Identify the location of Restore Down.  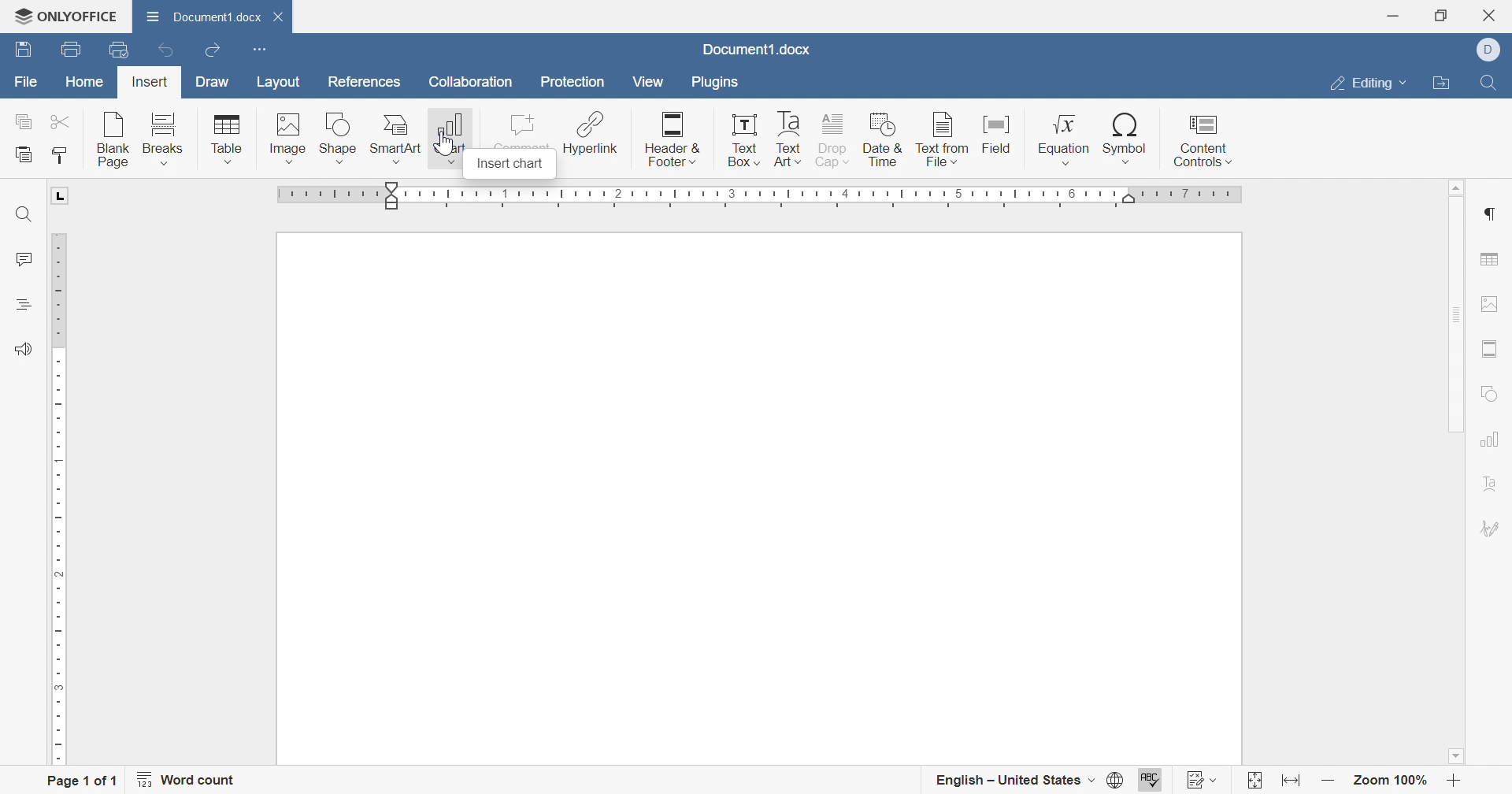
(1443, 15).